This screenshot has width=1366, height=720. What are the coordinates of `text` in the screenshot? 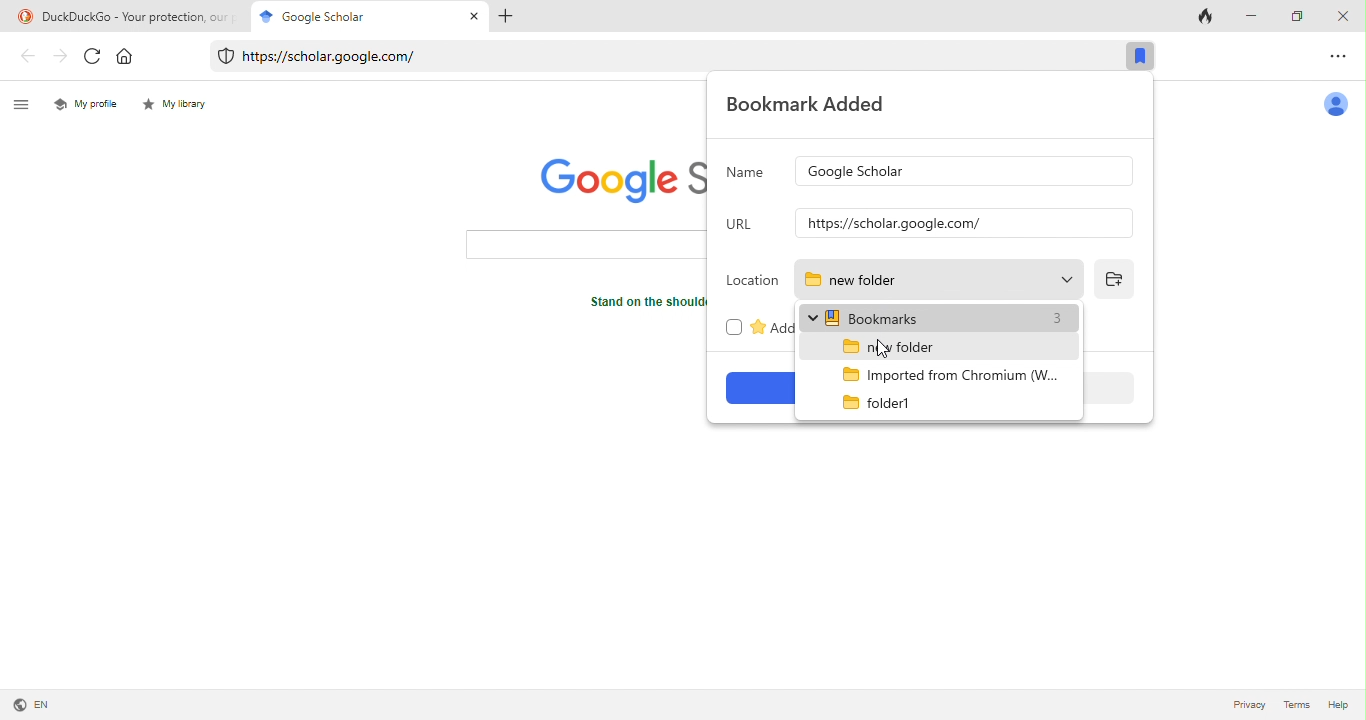 It's located at (638, 307).